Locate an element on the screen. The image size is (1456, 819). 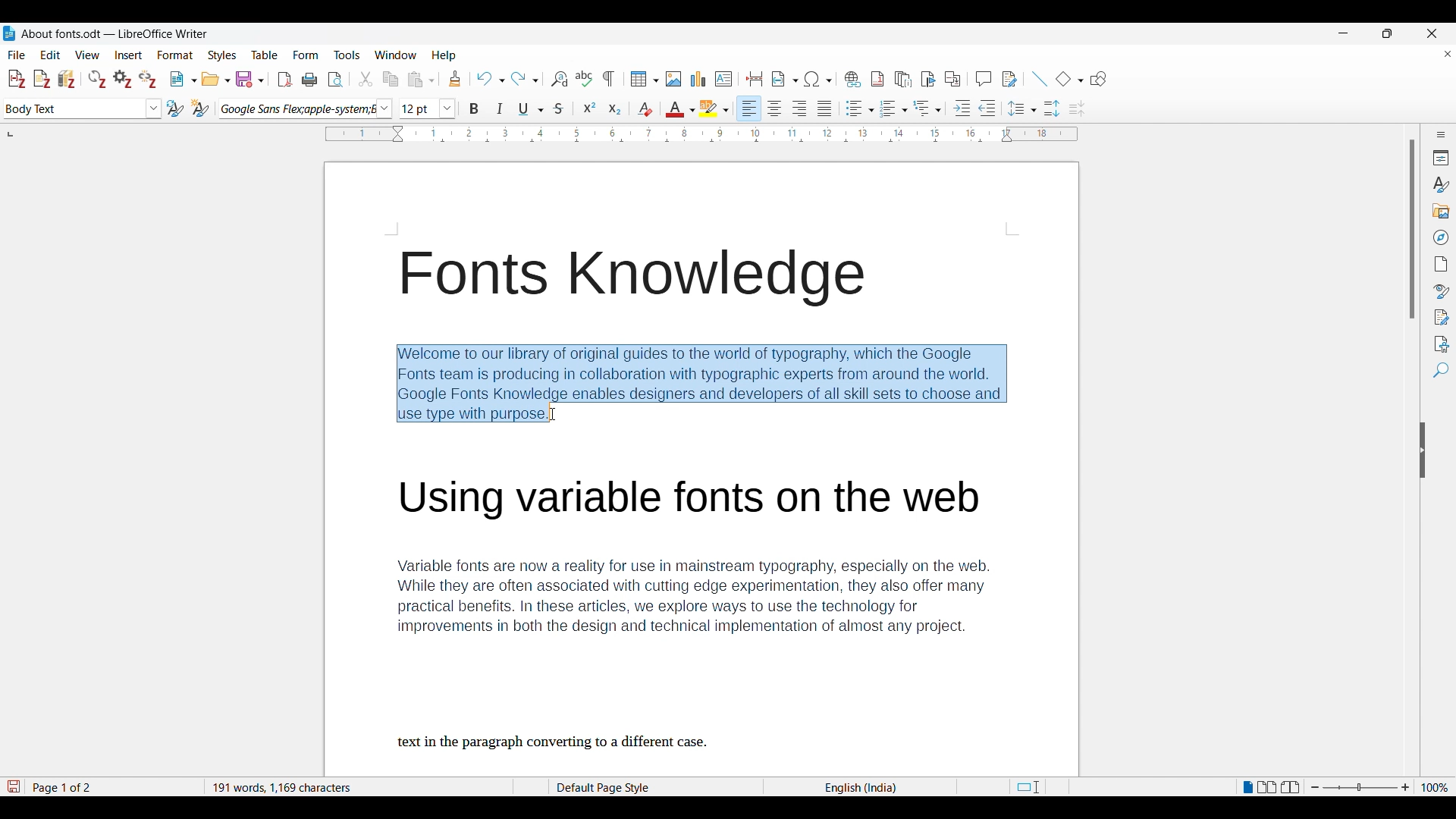
Variable fonts are now a reality for use in mainstream typography, especially on the web.
While they are often associated with cutting edge experimentation, they also offer many
practical benefits. In these articles, we explore ways to use the technology for
improvements in both the design and technical implementation of almost any project.
text in the paragraph converting to a different case. is located at coordinates (712, 614).